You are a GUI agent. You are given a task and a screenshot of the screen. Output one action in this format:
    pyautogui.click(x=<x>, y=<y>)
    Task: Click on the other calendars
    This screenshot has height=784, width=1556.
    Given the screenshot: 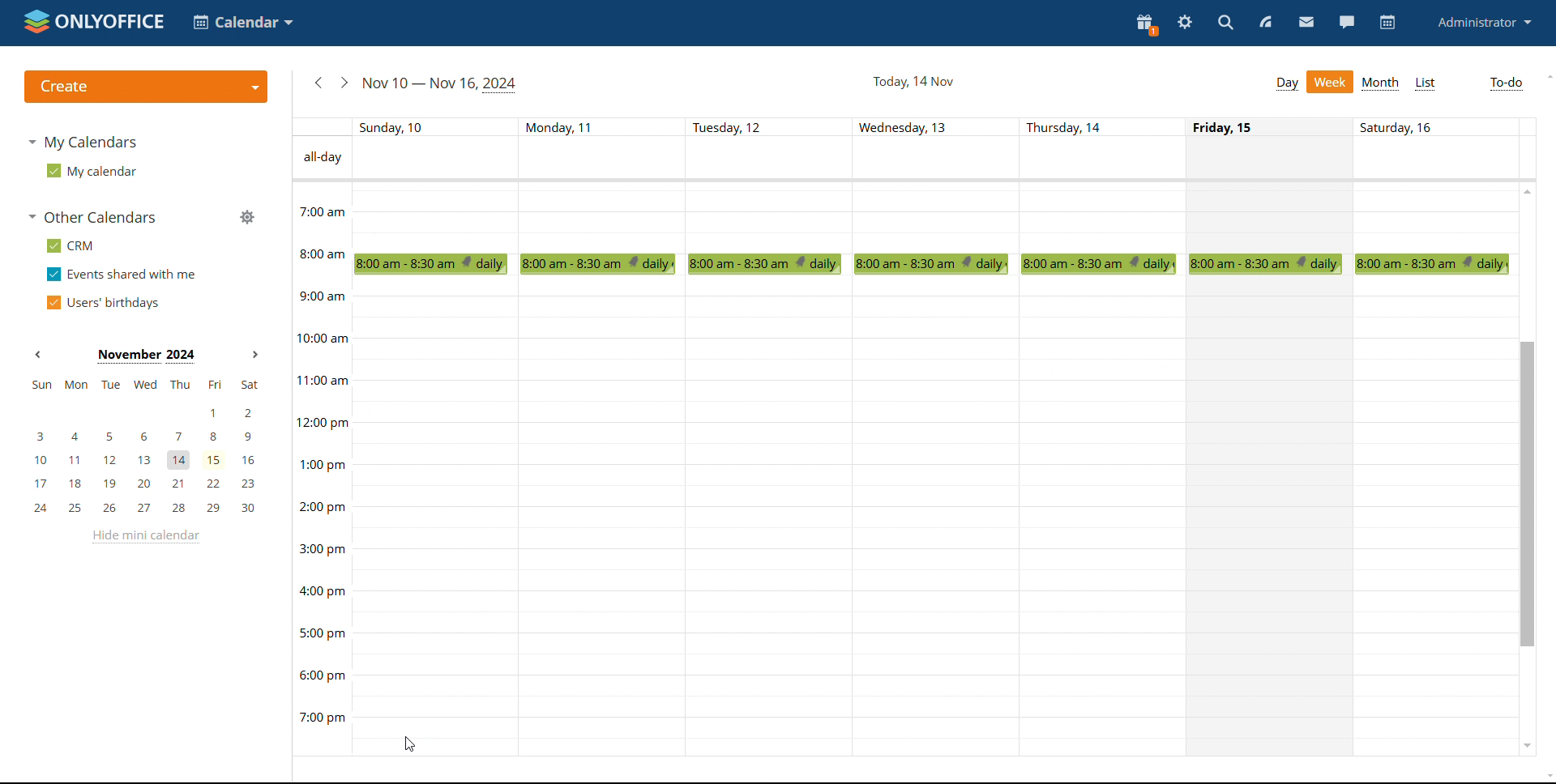 What is the action you would take?
    pyautogui.click(x=91, y=219)
    